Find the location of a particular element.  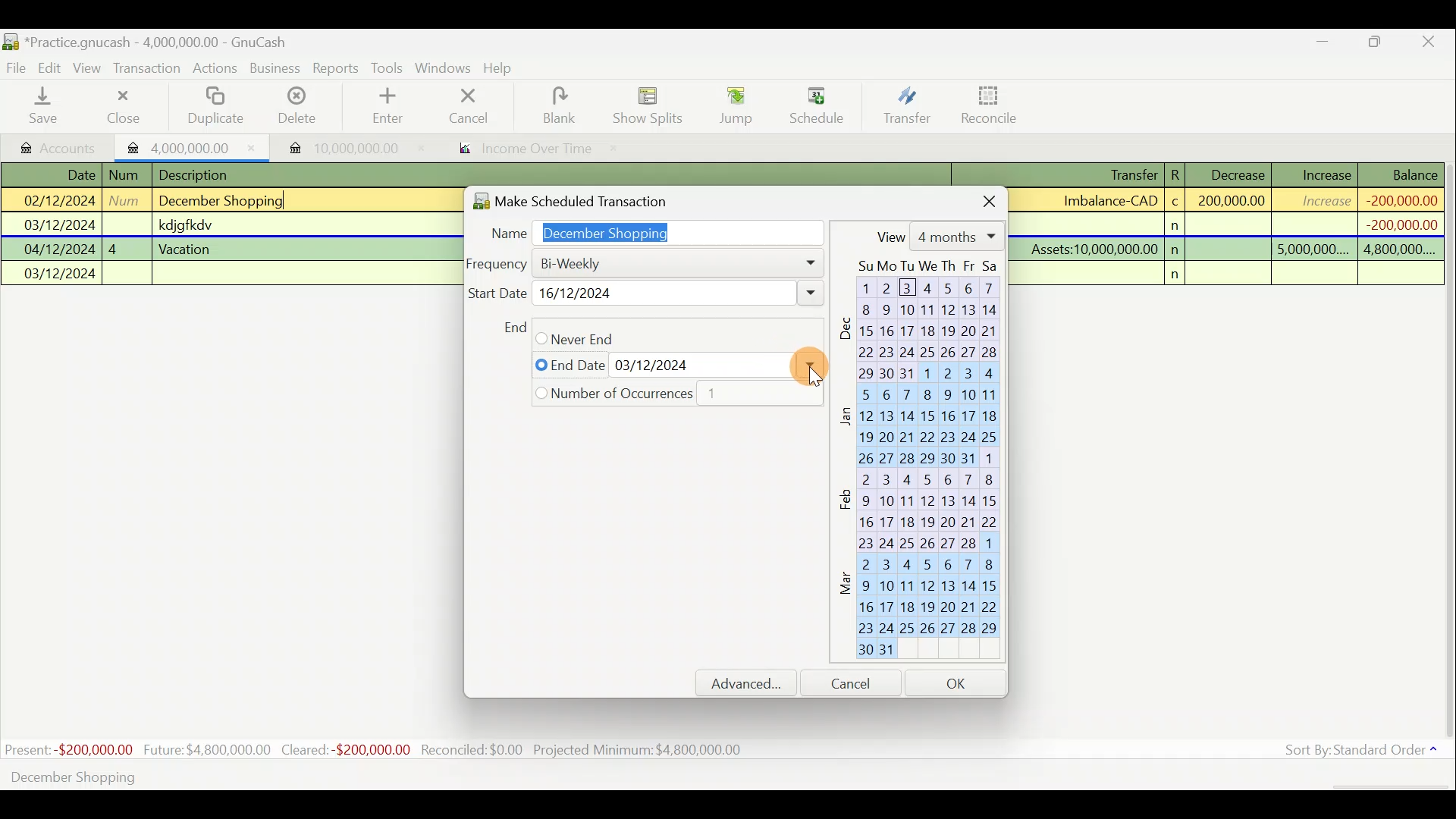

Business is located at coordinates (276, 69).